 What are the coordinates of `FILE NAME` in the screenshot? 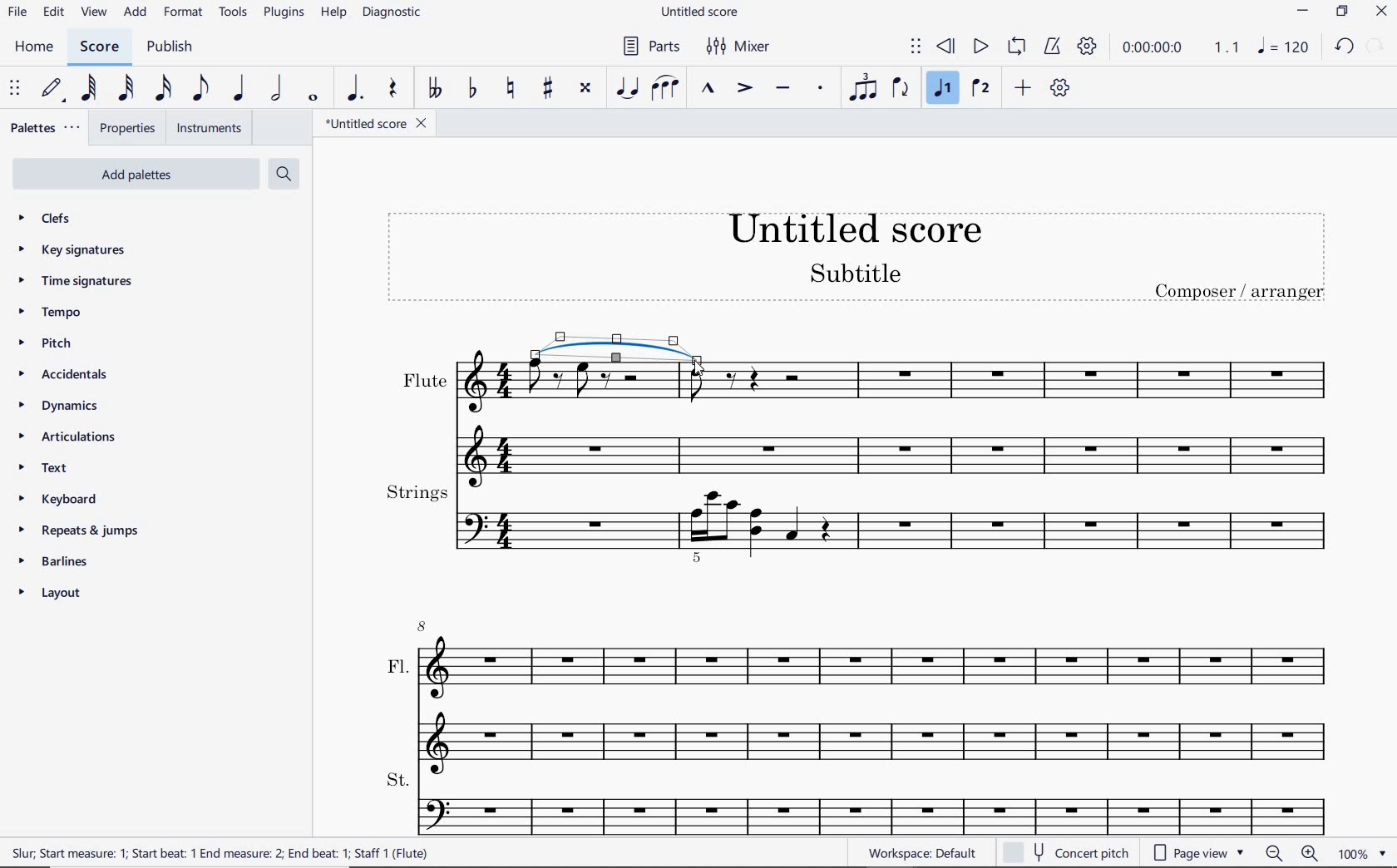 It's located at (373, 122).